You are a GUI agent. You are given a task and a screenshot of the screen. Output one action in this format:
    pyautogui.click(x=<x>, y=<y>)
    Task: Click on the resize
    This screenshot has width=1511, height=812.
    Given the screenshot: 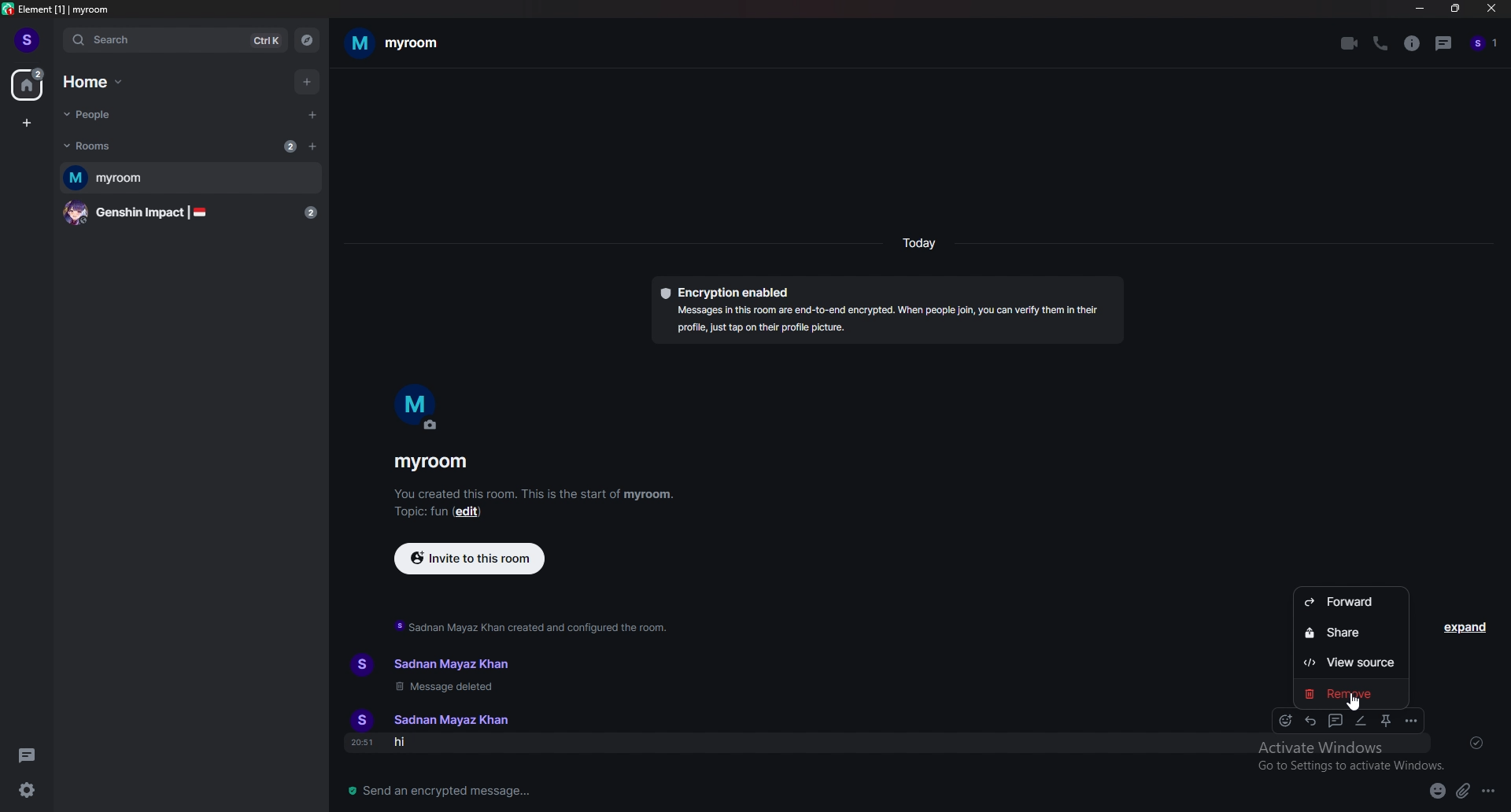 What is the action you would take?
    pyautogui.click(x=1454, y=8)
    